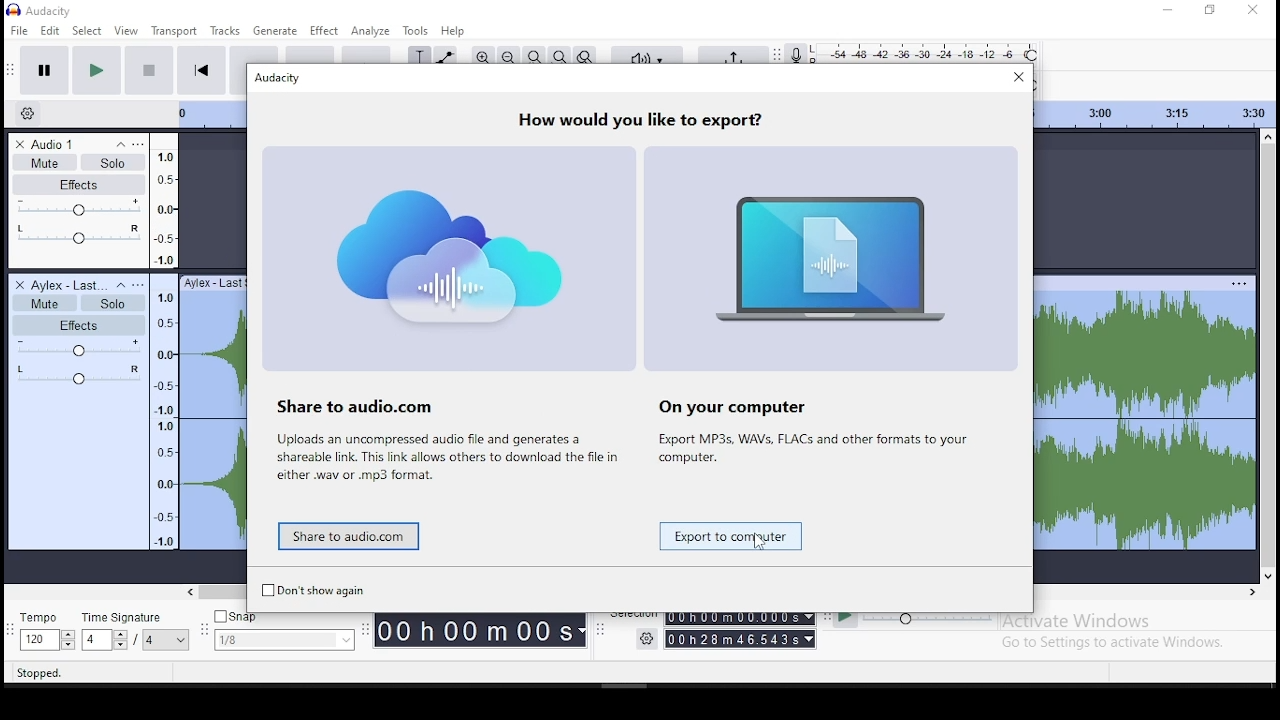 This screenshot has width=1280, height=720. I want to click on save to computer, so click(735, 536).